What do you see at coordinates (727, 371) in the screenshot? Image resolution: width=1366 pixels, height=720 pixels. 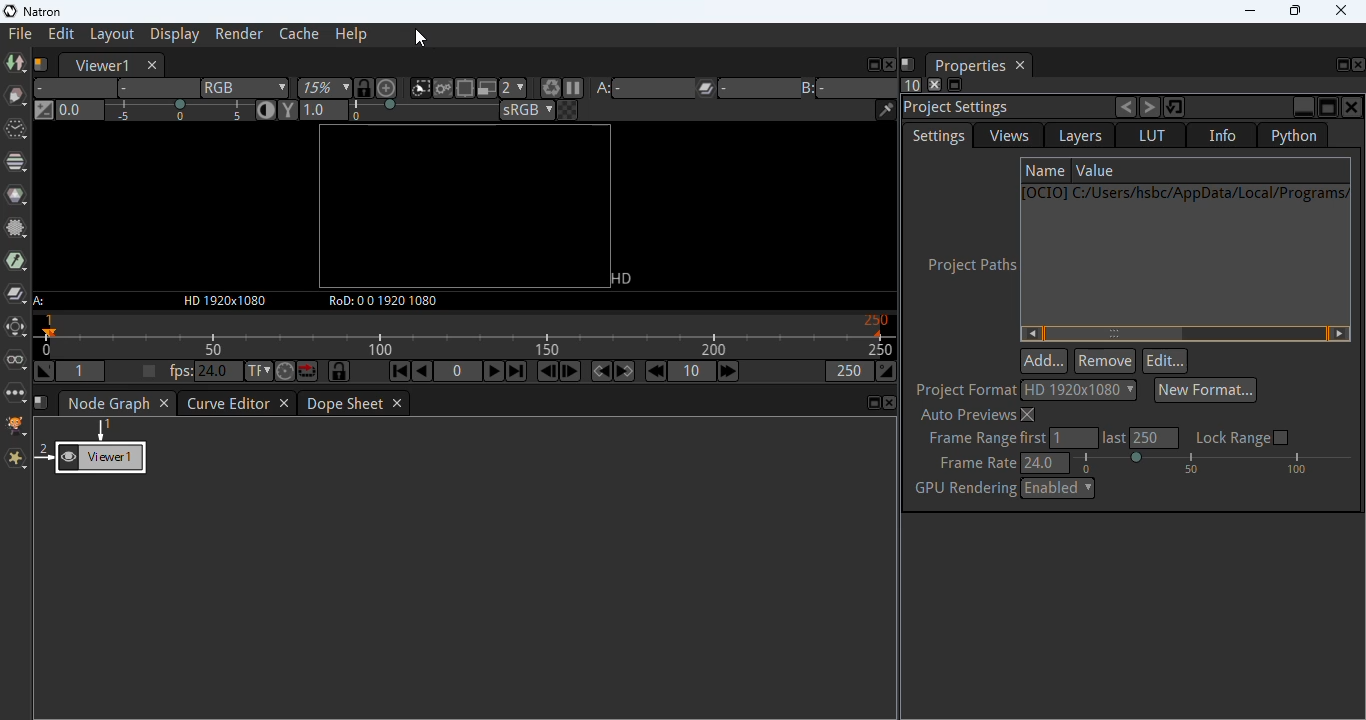 I see `next increment` at bounding box center [727, 371].